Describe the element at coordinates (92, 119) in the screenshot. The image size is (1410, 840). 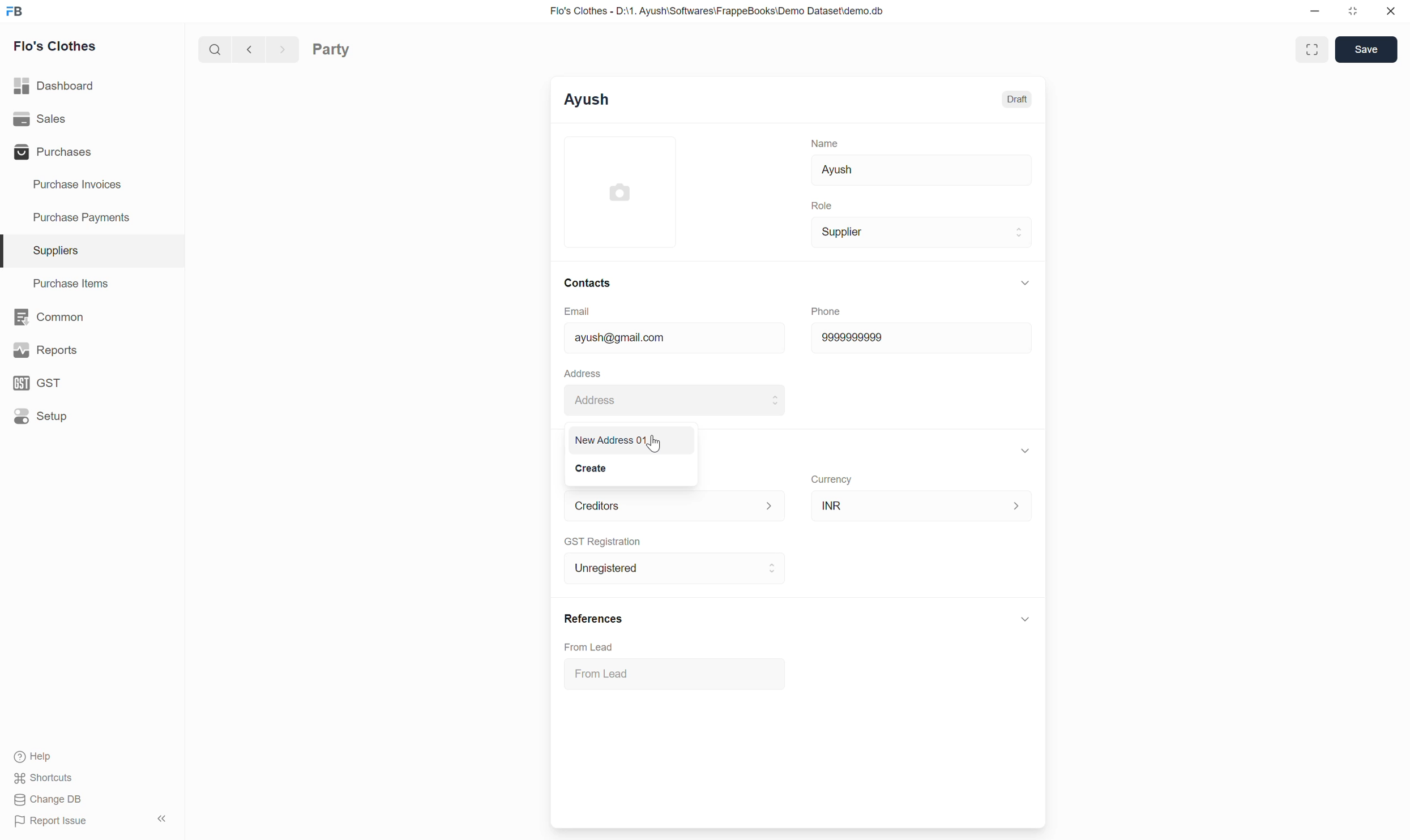
I see `Sales` at that location.